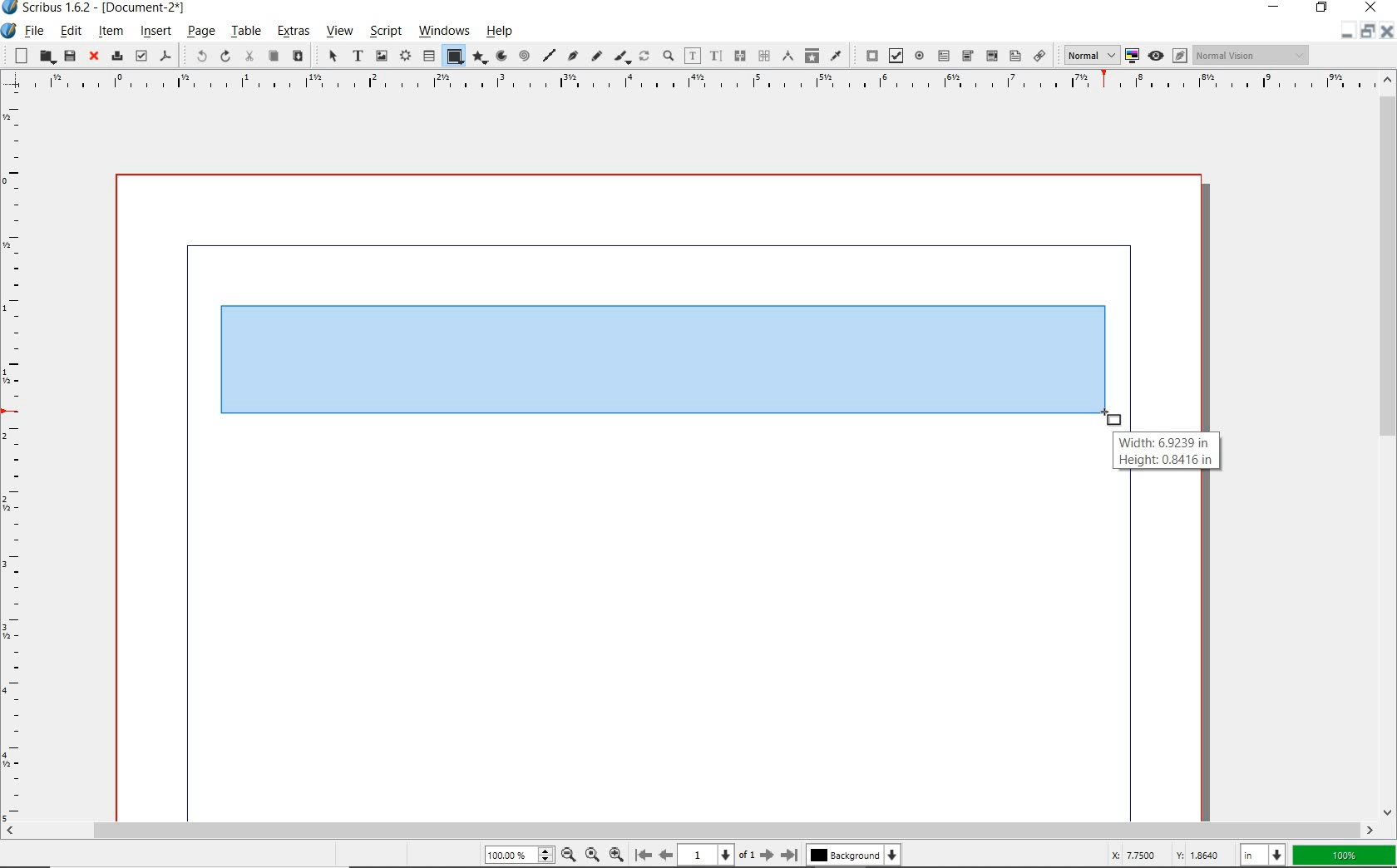 Image resolution: width=1397 pixels, height=868 pixels. I want to click on table, so click(427, 55).